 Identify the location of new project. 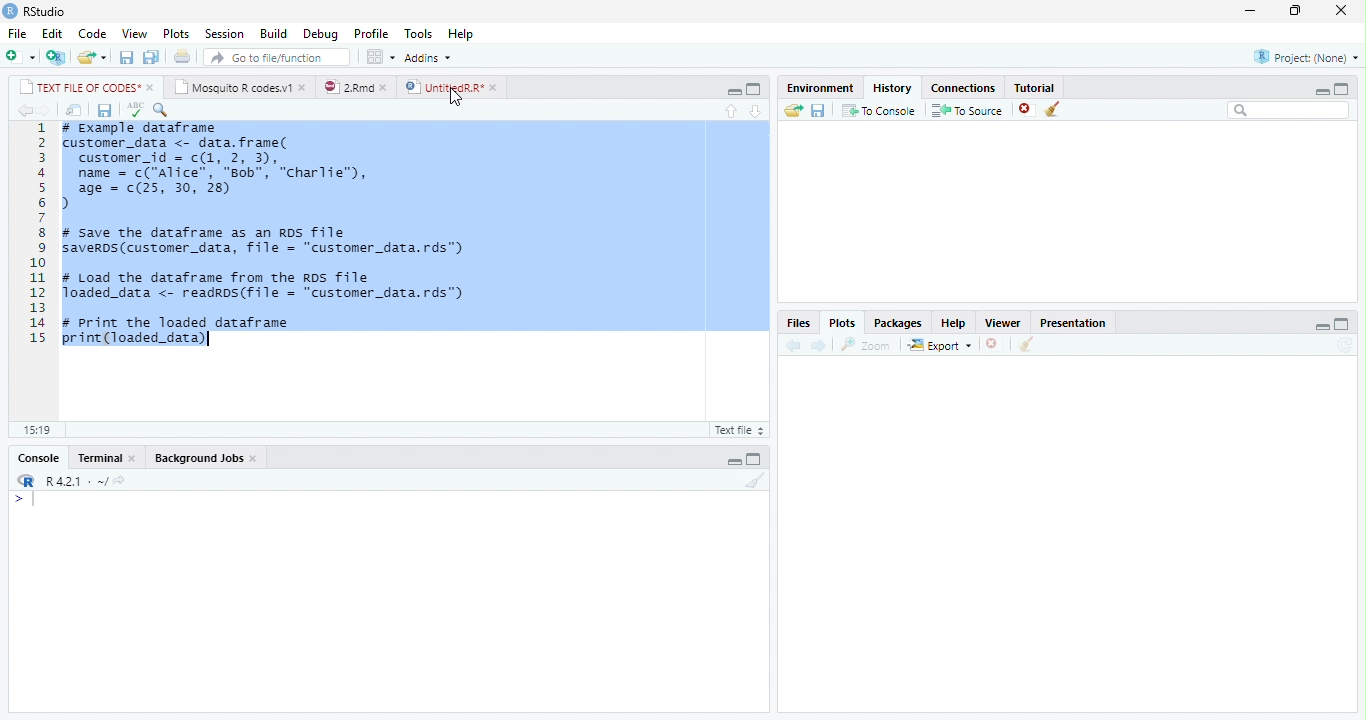
(57, 57).